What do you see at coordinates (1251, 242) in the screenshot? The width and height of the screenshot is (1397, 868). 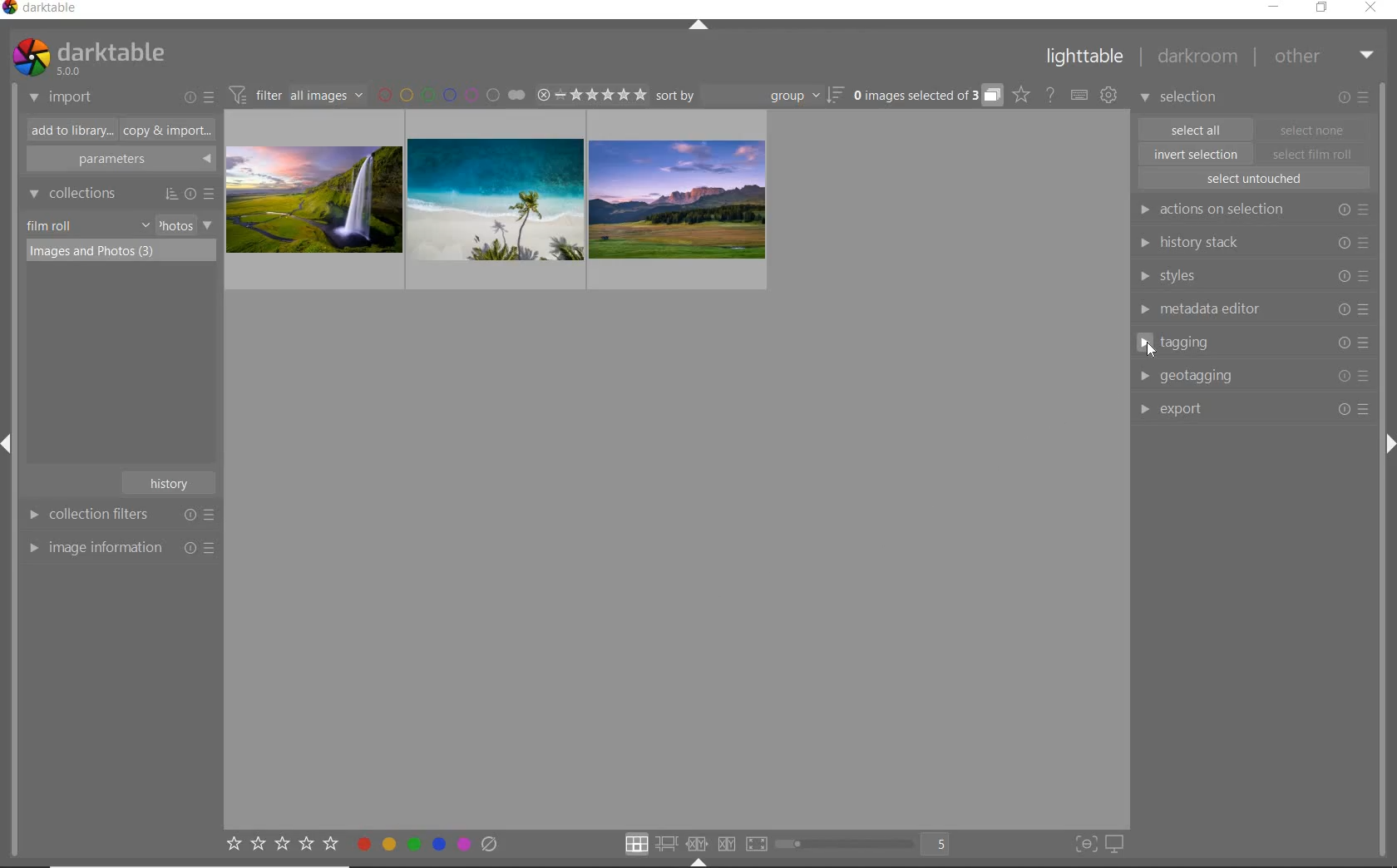 I see `history stack` at bounding box center [1251, 242].